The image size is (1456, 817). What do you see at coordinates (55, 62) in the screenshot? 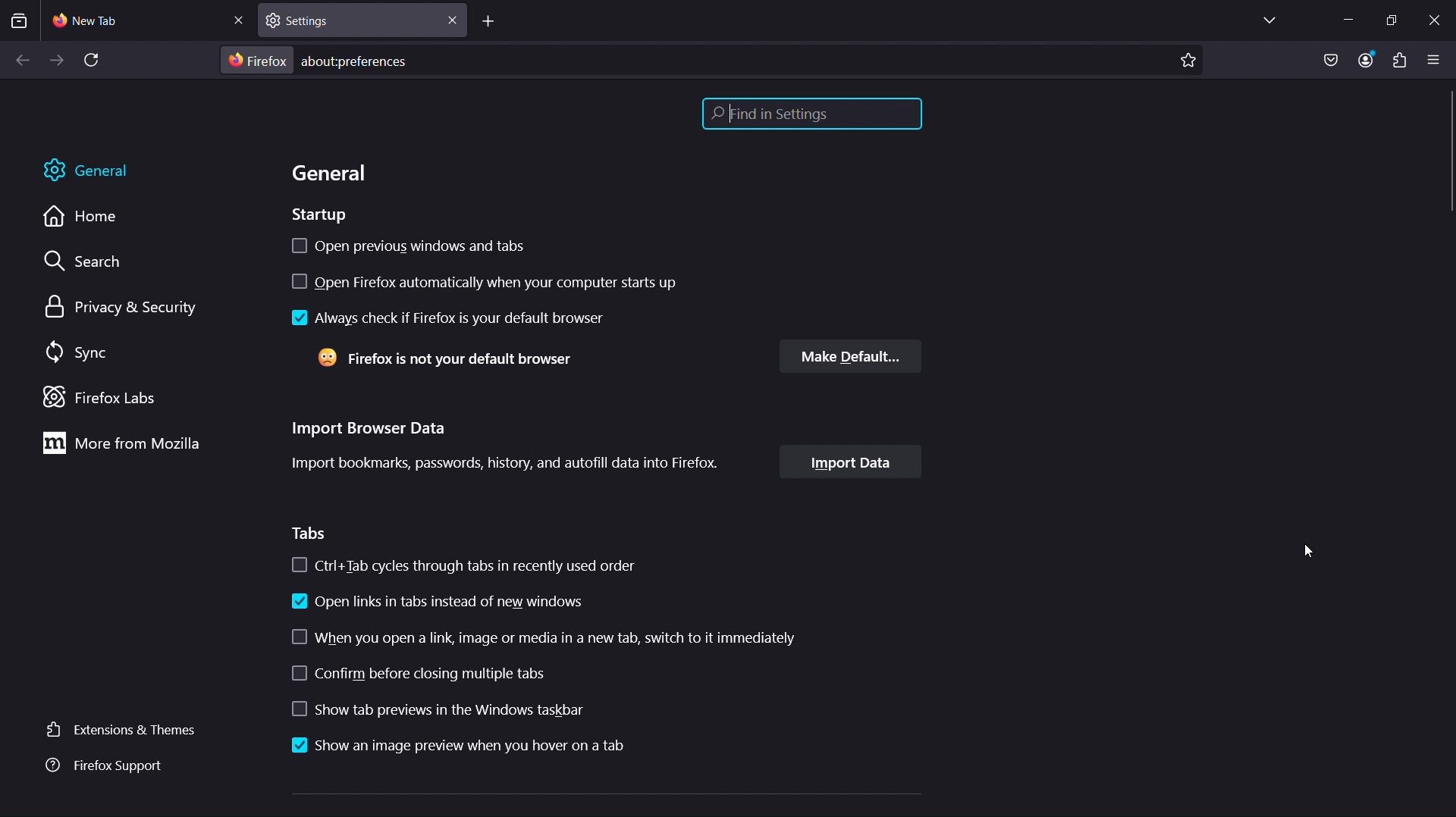
I see `Forward` at bounding box center [55, 62].